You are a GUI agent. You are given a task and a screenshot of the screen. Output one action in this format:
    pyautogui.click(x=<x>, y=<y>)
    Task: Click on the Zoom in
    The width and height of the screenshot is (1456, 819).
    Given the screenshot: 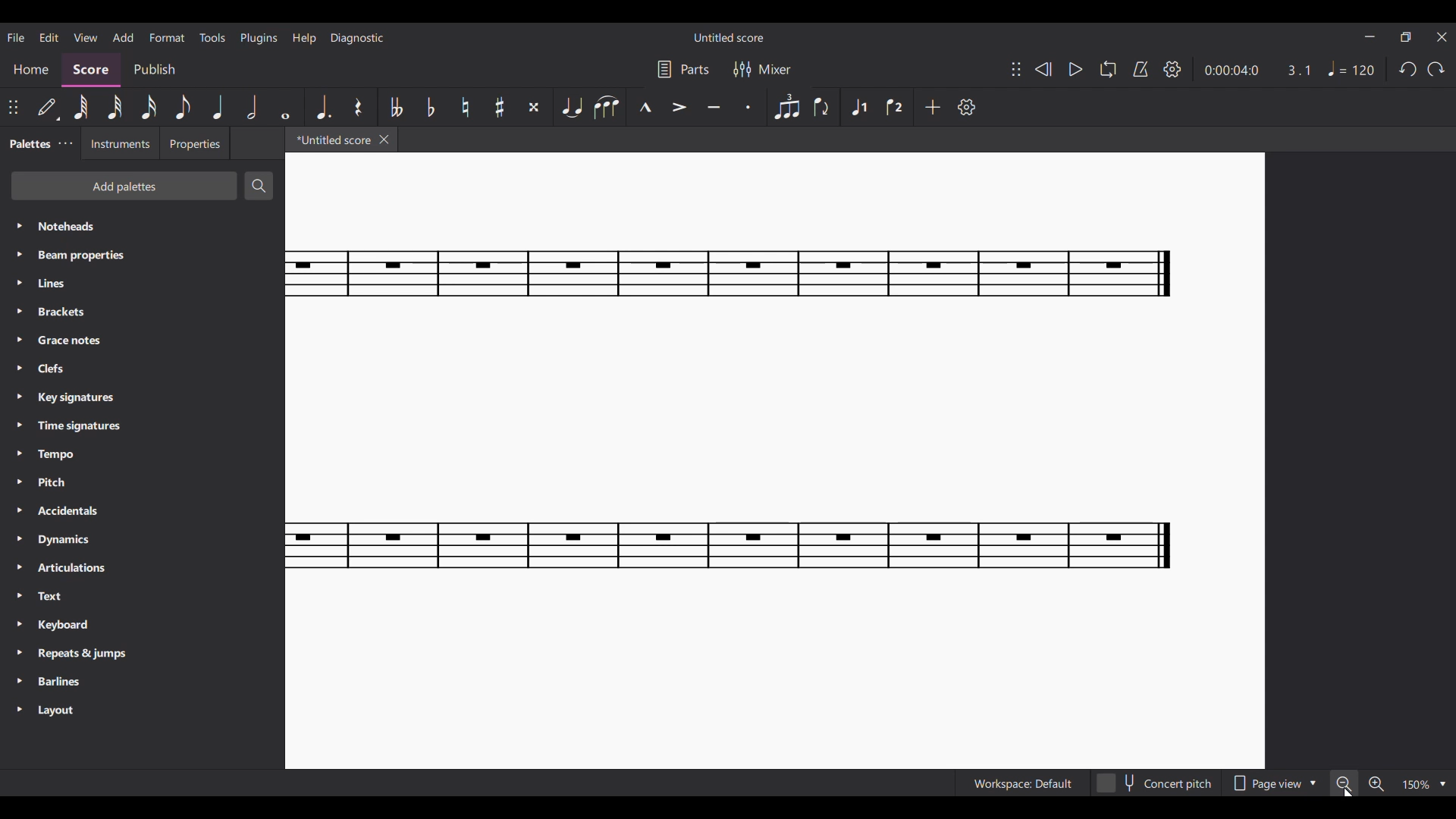 What is the action you would take?
    pyautogui.click(x=1376, y=783)
    